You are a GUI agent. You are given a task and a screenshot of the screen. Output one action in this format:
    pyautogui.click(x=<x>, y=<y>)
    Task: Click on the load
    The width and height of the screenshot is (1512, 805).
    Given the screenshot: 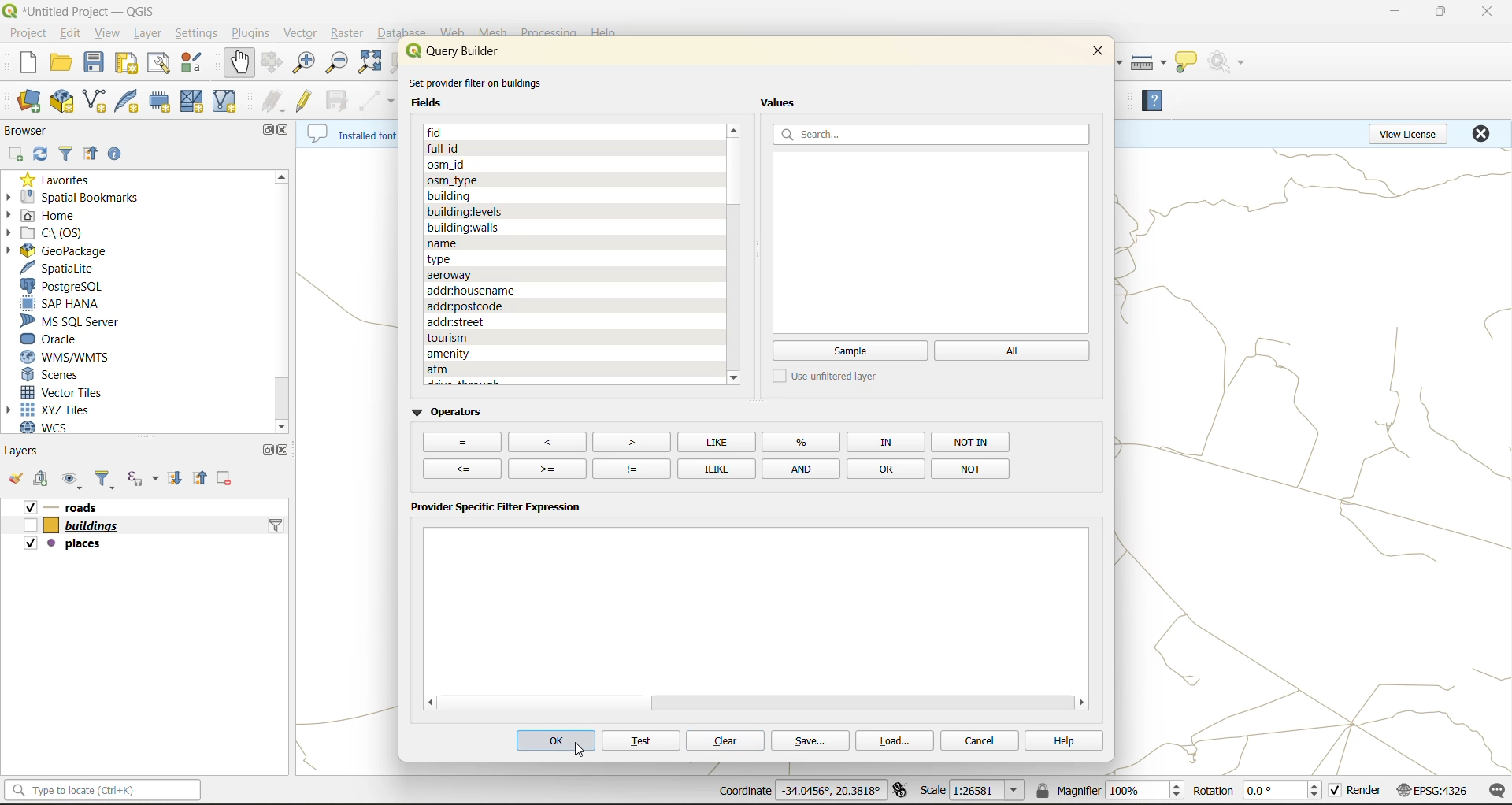 What is the action you would take?
    pyautogui.click(x=897, y=743)
    